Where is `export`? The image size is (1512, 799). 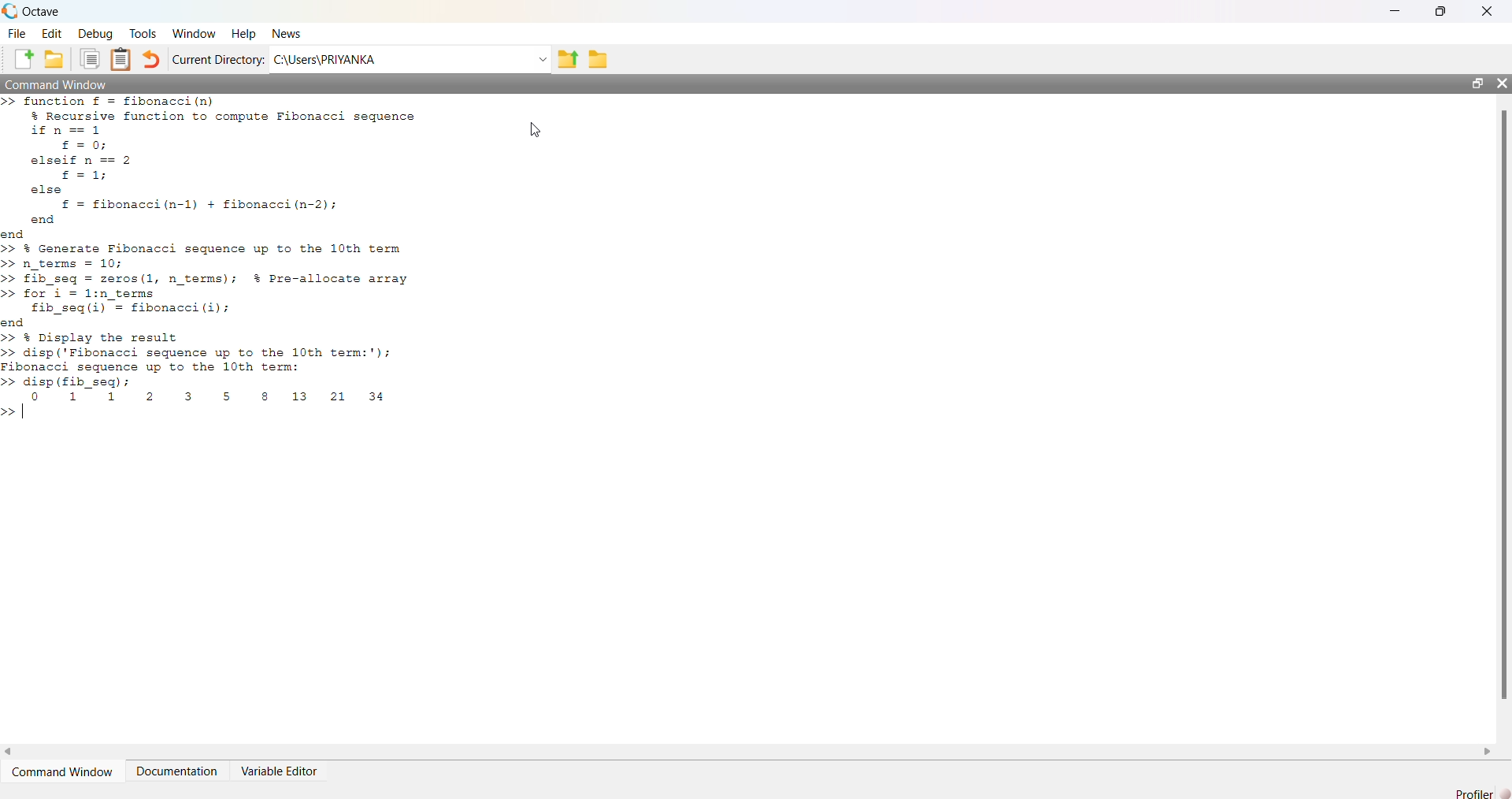
export is located at coordinates (569, 61).